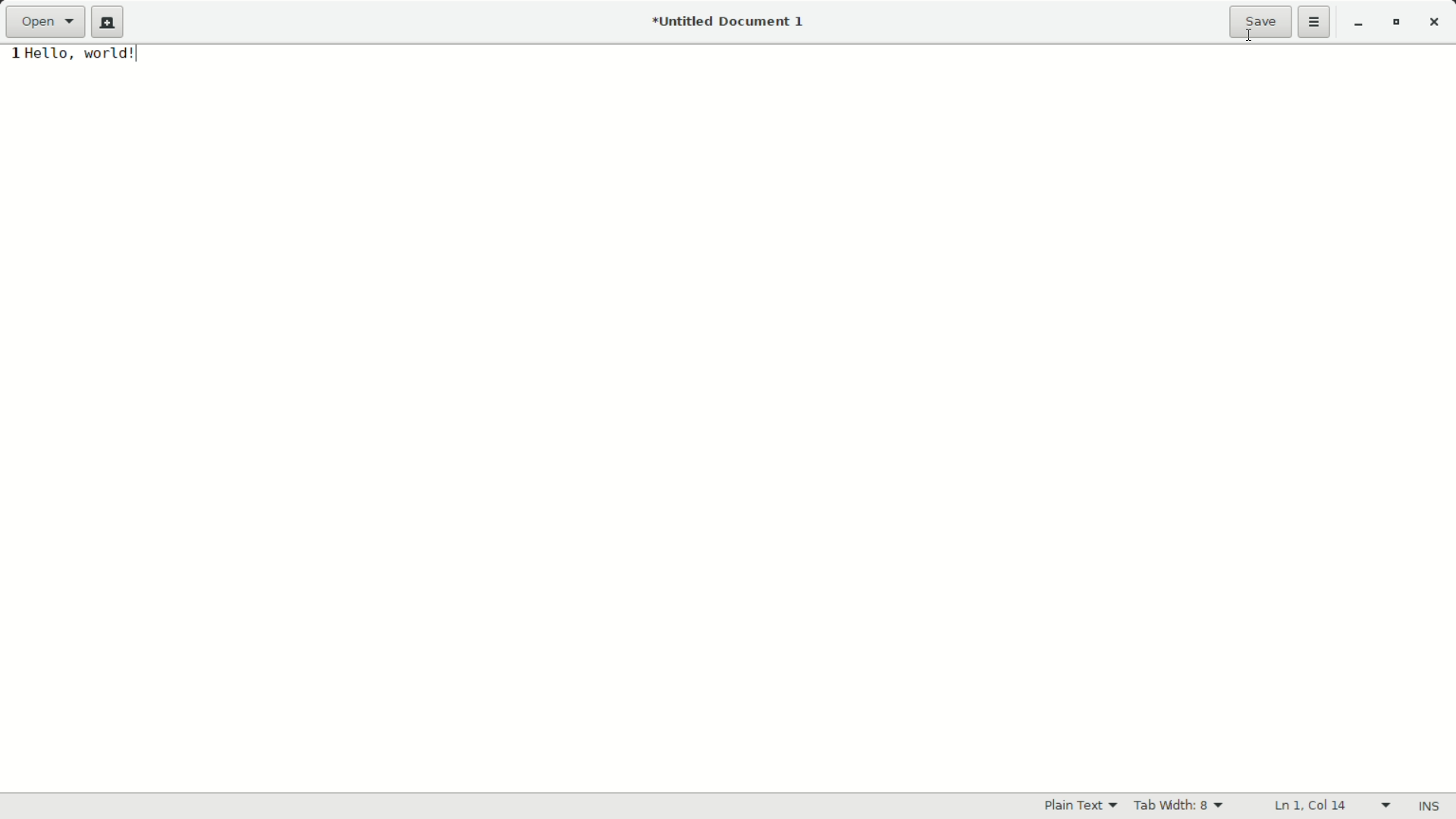  I want to click on Untitled Document 1, so click(729, 22).